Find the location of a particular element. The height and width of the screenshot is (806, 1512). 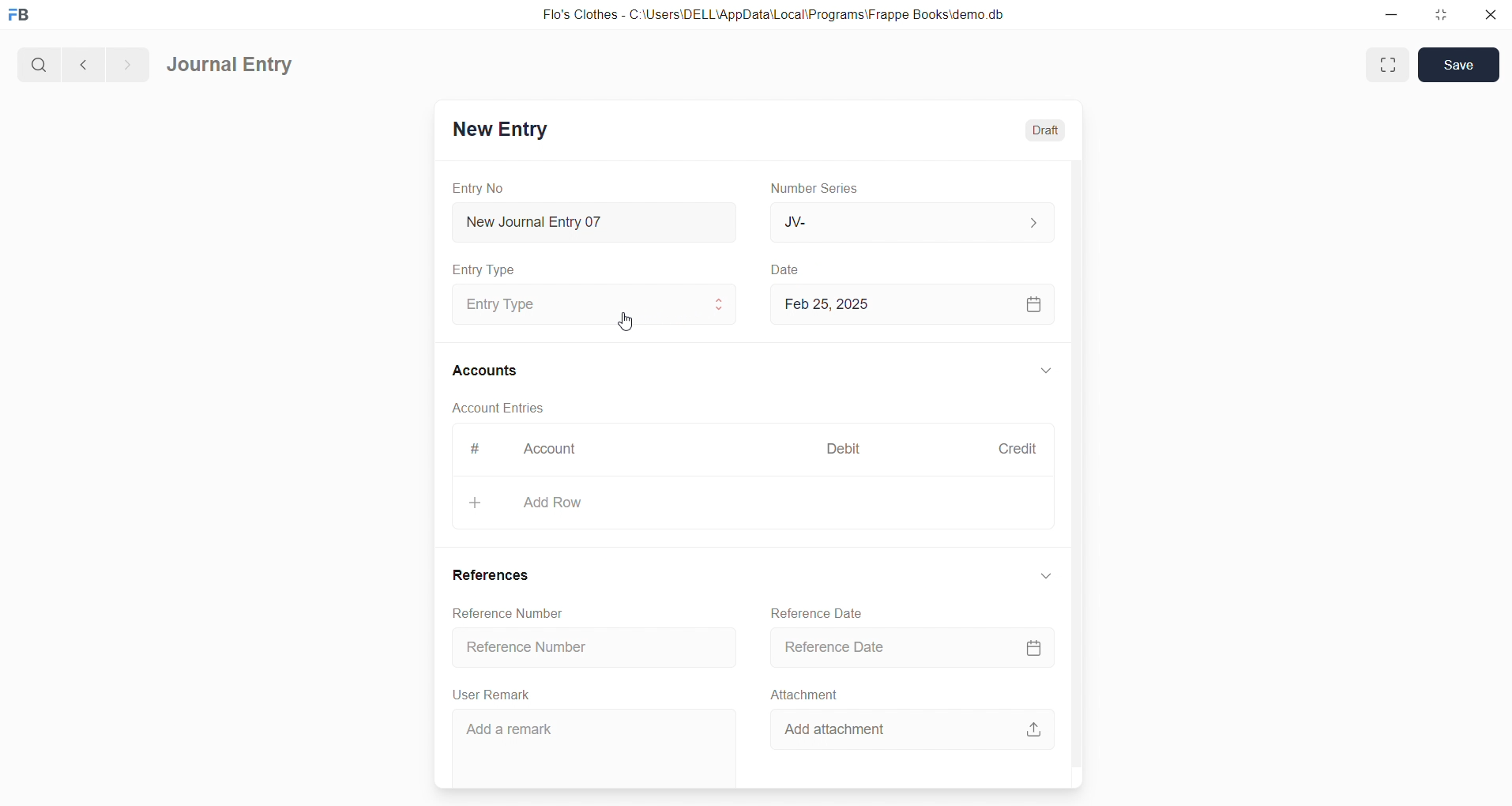

Reference Date is located at coordinates (912, 648).